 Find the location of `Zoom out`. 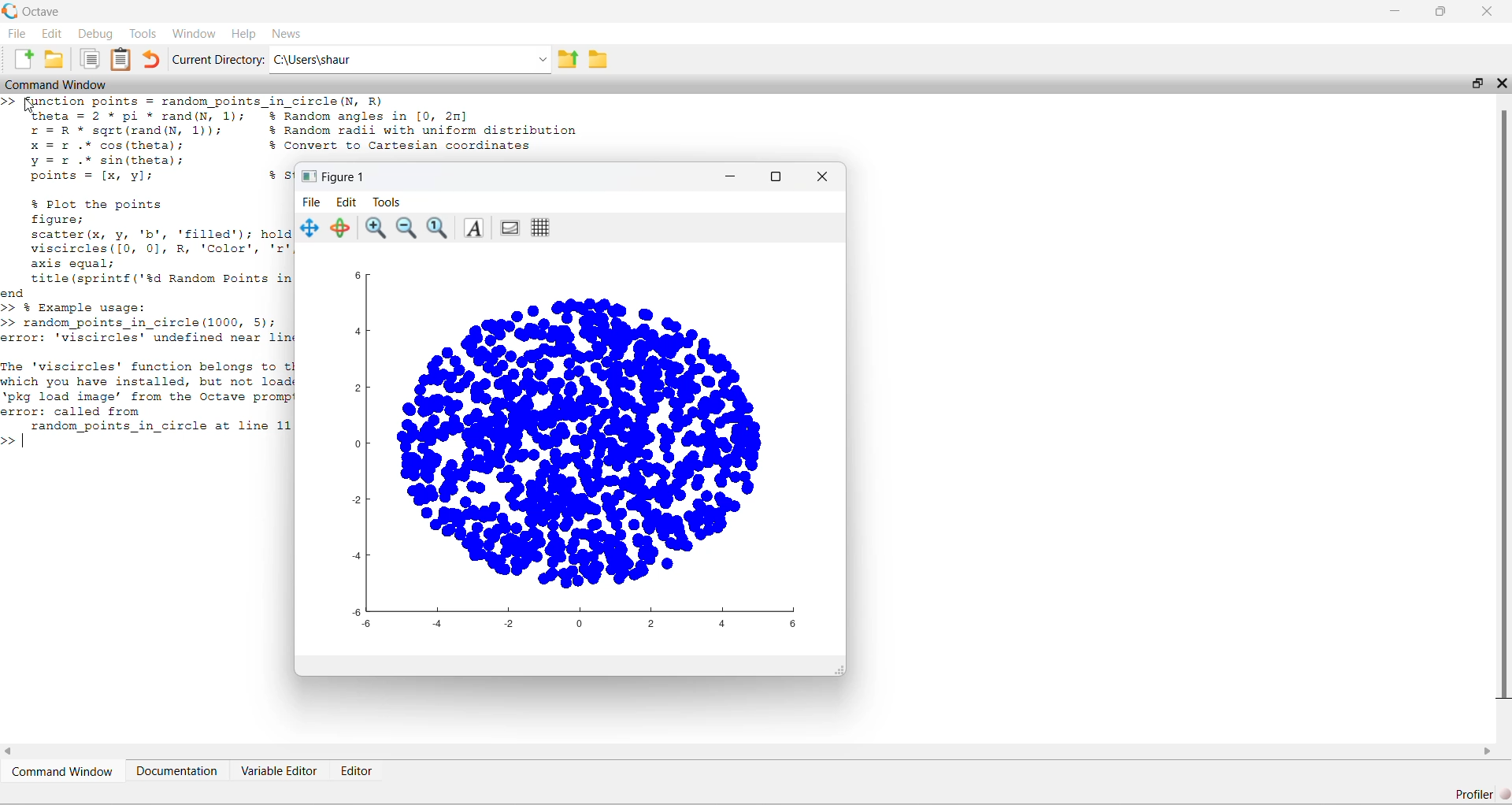

Zoom out is located at coordinates (406, 228).